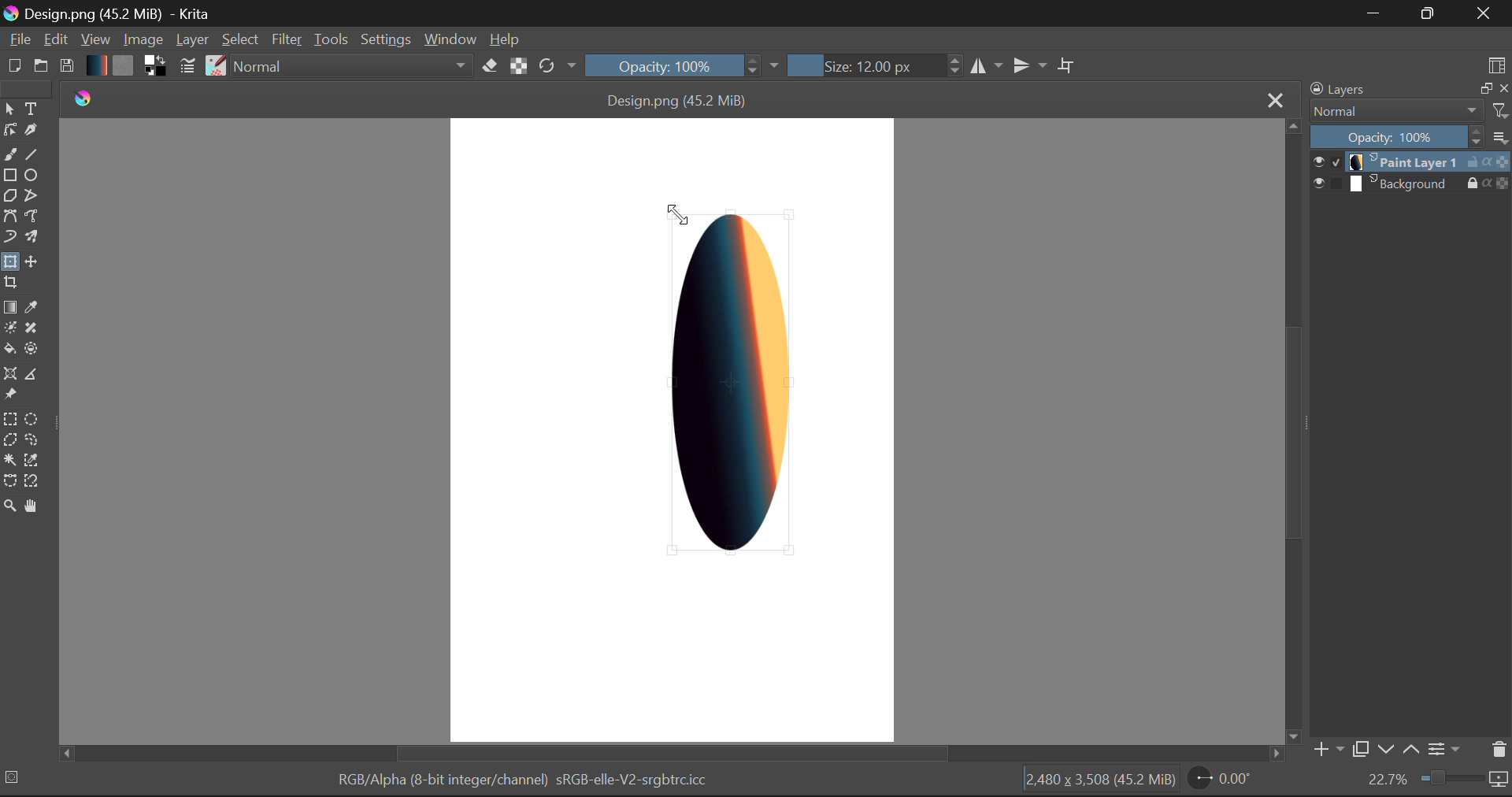 Image resolution: width=1512 pixels, height=797 pixels. Describe the element at coordinates (13, 67) in the screenshot. I see `New` at that location.